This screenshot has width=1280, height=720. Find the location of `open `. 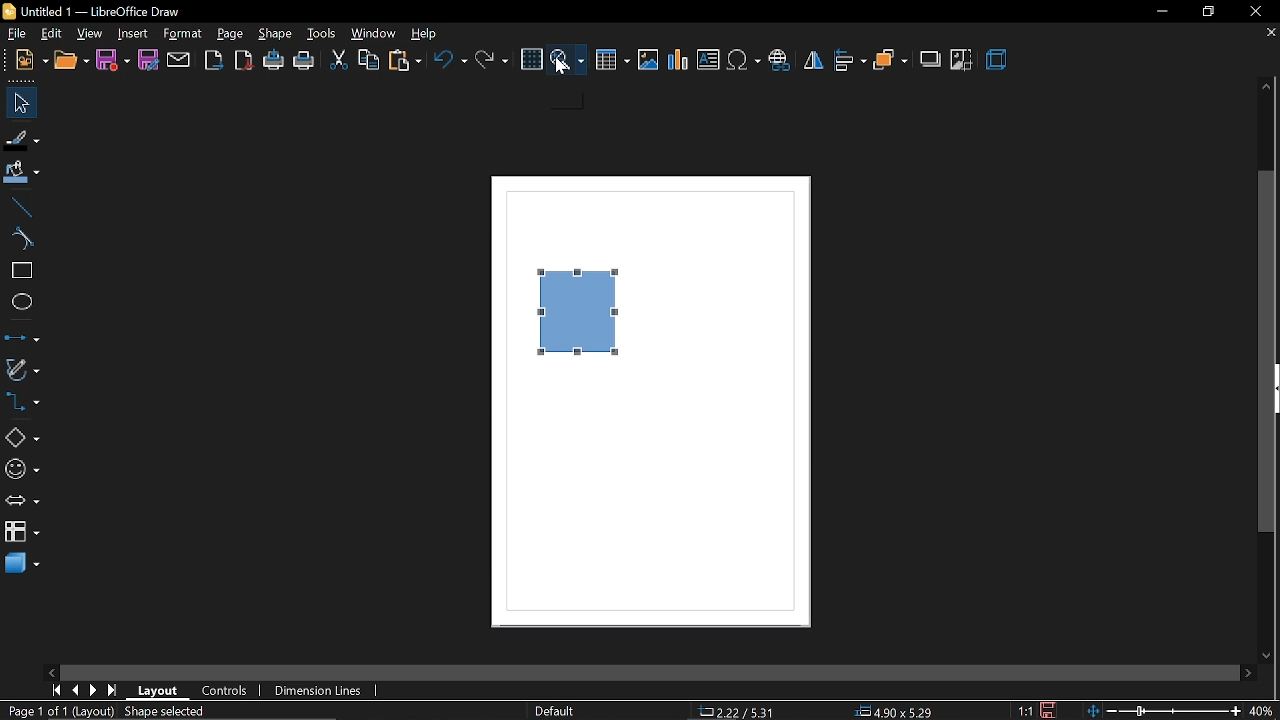

open  is located at coordinates (70, 61).